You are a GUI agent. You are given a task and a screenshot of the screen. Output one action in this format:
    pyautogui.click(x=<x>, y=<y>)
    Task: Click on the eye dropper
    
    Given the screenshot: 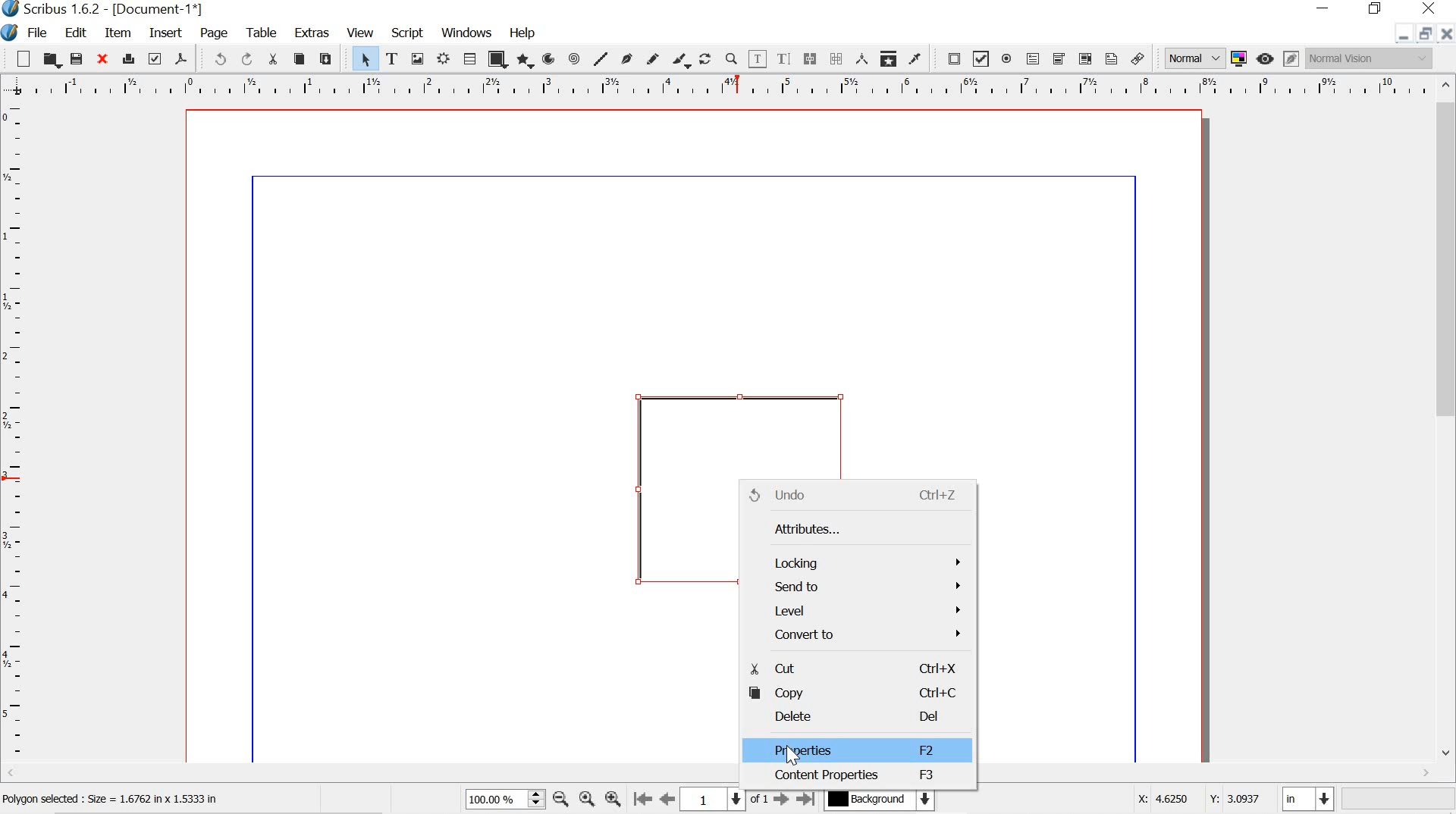 What is the action you would take?
    pyautogui.click(x=915, y=59)
    